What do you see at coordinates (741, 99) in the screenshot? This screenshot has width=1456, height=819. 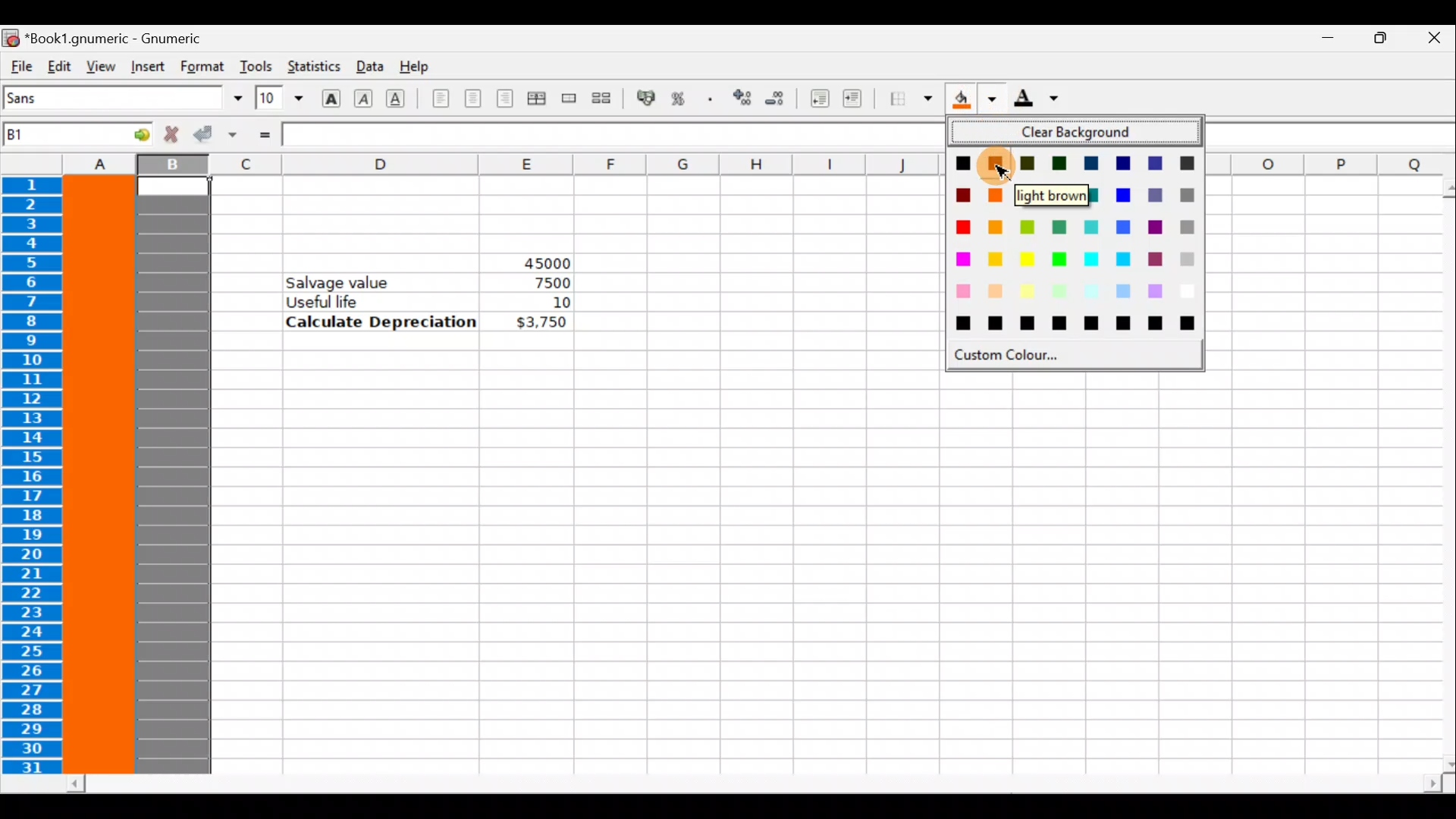 I see `Increase the number of decimals` at bounding box center [741, 99].